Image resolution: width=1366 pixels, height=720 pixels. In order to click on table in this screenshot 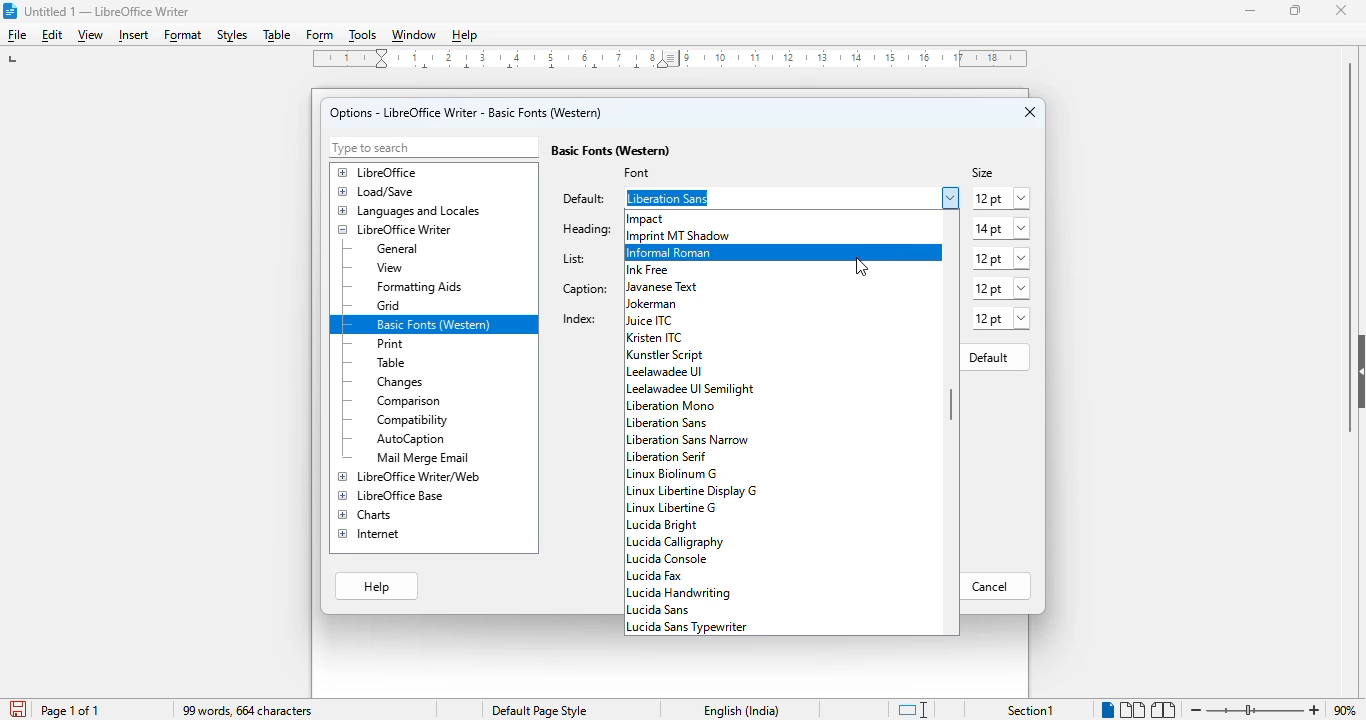, I will do `click(392, 363)`.